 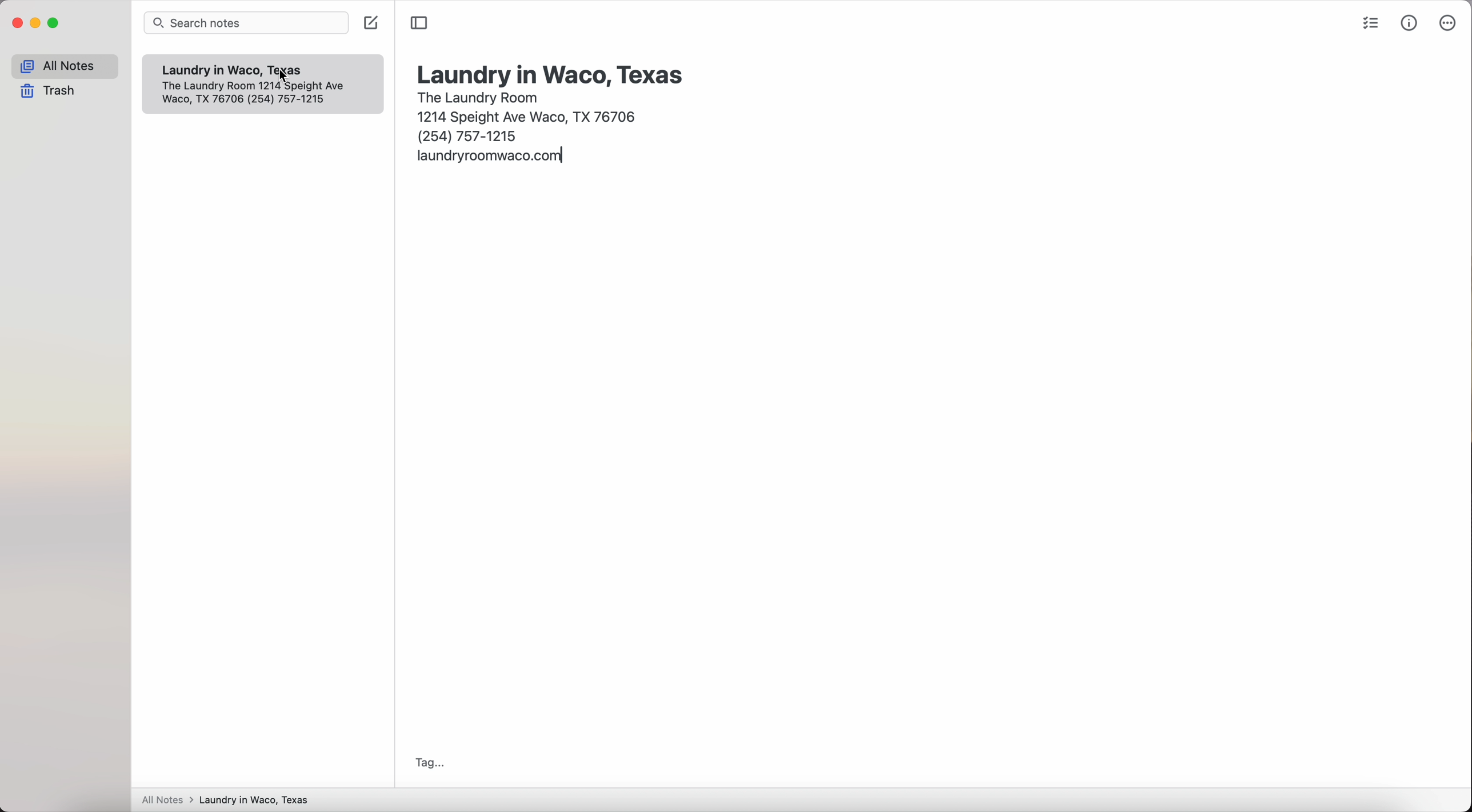 What do you see at coordinates (230, 801) in the screenshot?
I see `All notes > Laundry in Waco, Texas` at bounding box center [230, 801].